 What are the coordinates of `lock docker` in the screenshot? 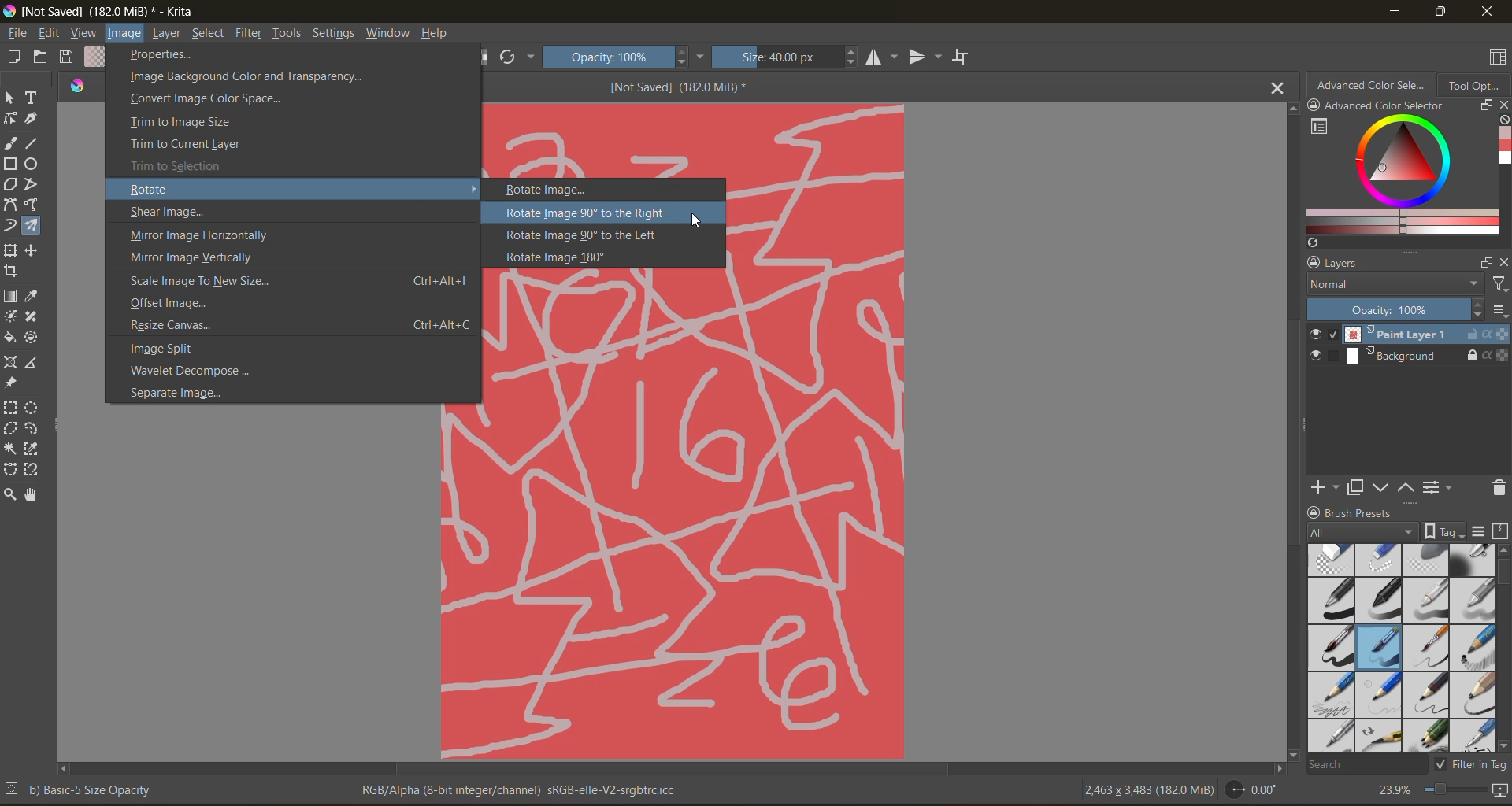 It's located at (1314, 263).